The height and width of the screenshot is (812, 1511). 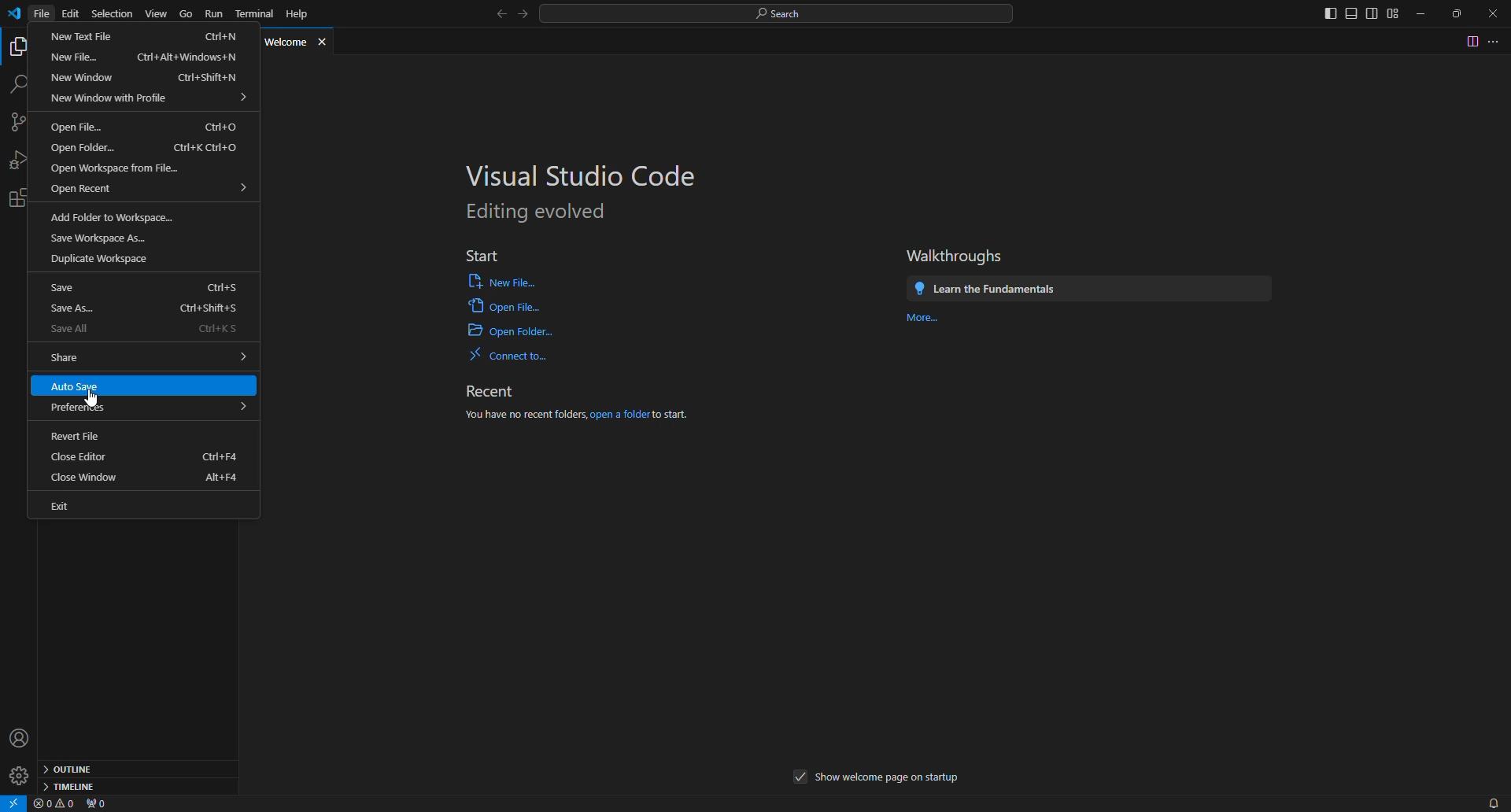 What do you see at coordinates (20, 46) in the screenshot?
I see `explorer` at bounding box center [20, 46].